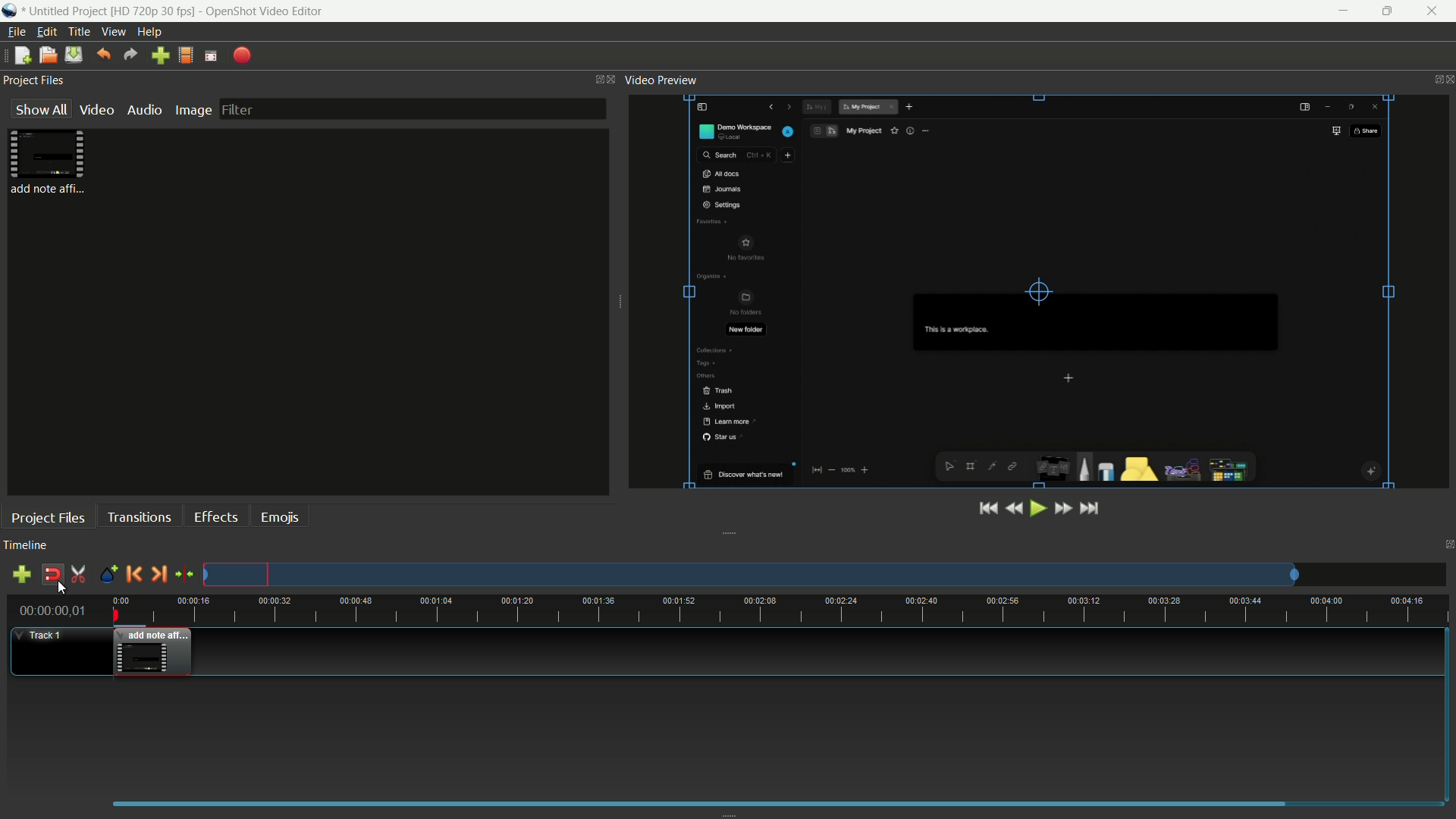 The image size is (1456, 819). I want to click on center the timeline on the playhead, so click(184, 574).